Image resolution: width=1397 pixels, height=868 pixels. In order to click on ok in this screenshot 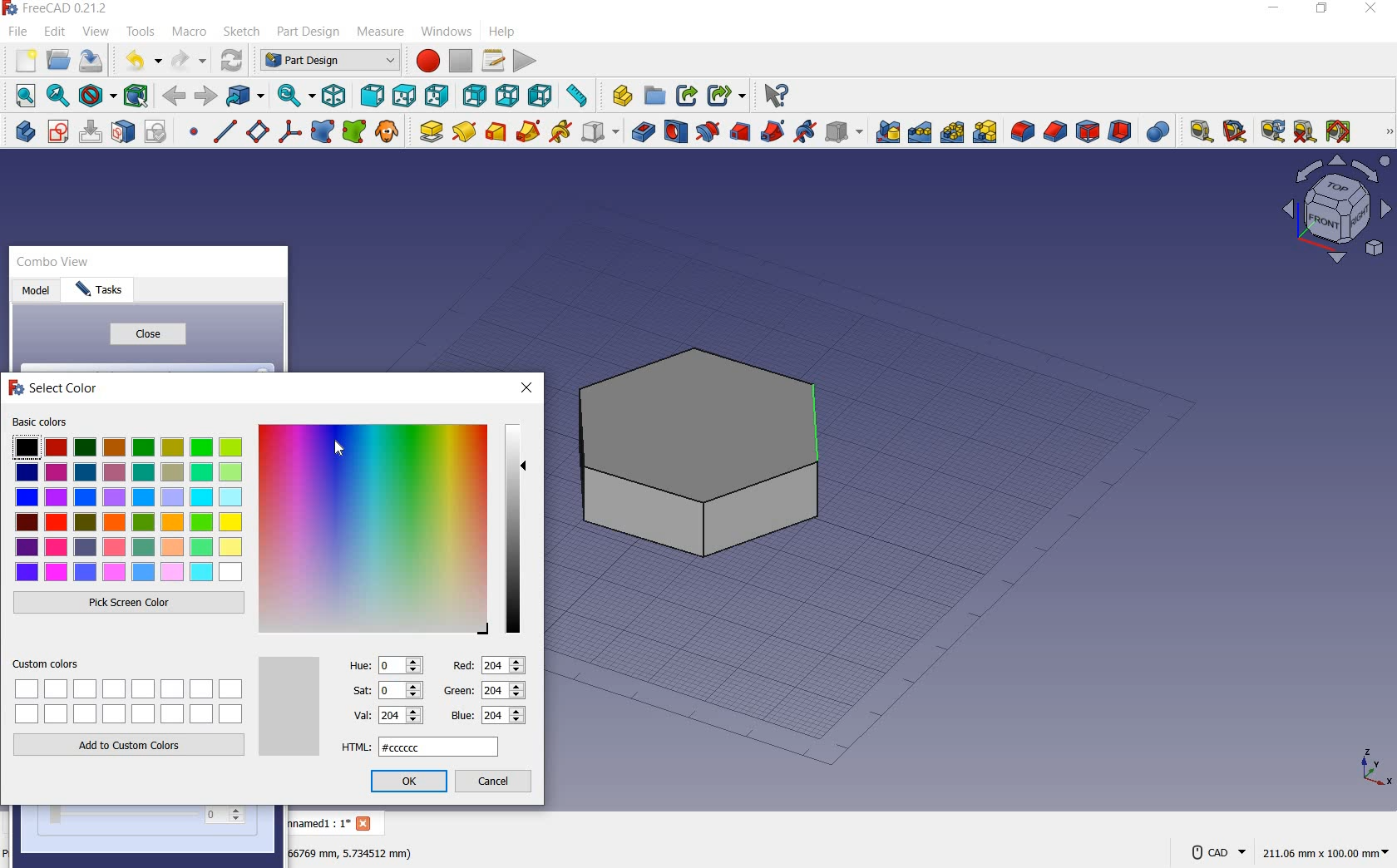, I will do `click(408, 782)`.